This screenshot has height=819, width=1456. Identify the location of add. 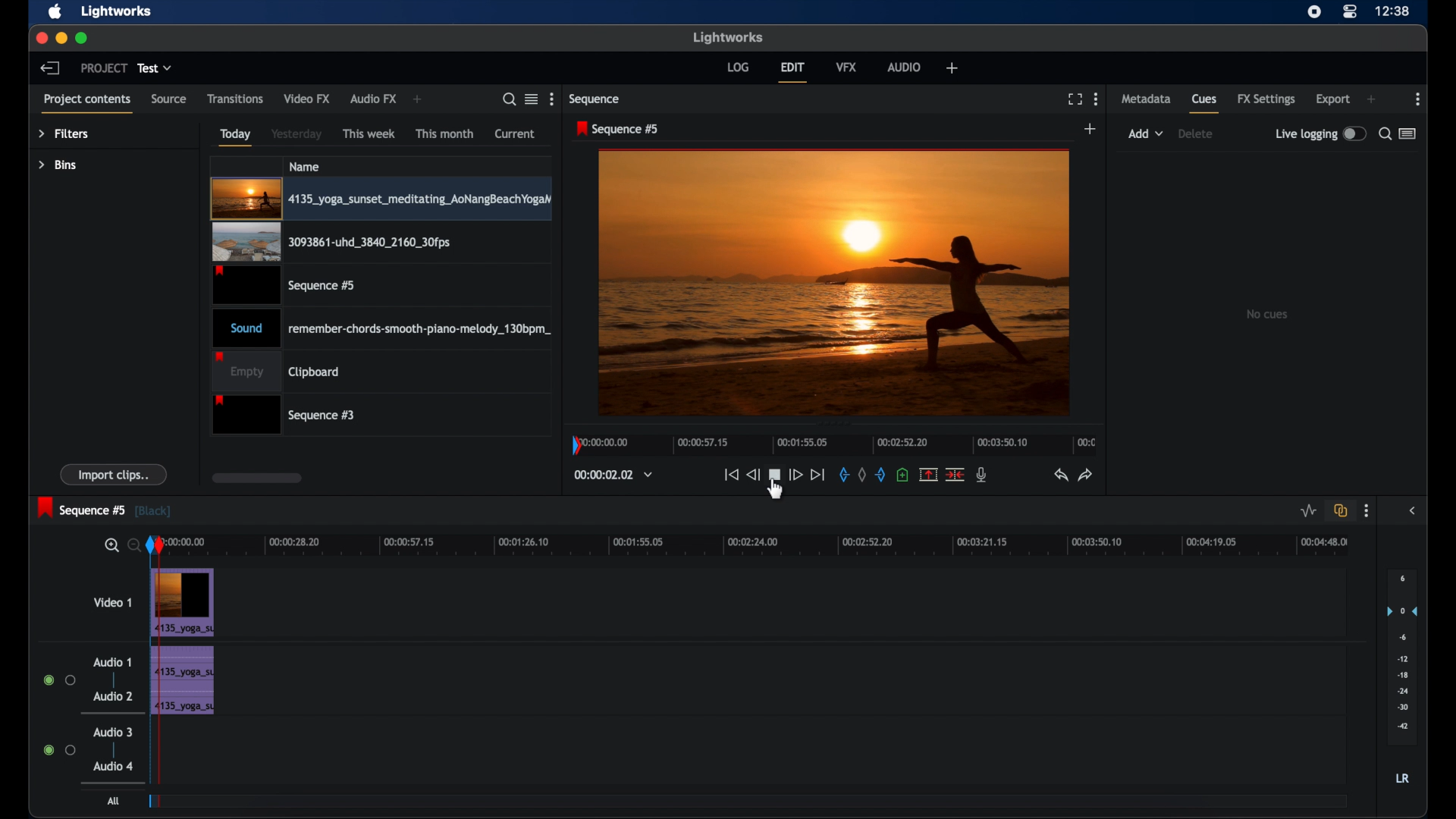
(1371, 99).